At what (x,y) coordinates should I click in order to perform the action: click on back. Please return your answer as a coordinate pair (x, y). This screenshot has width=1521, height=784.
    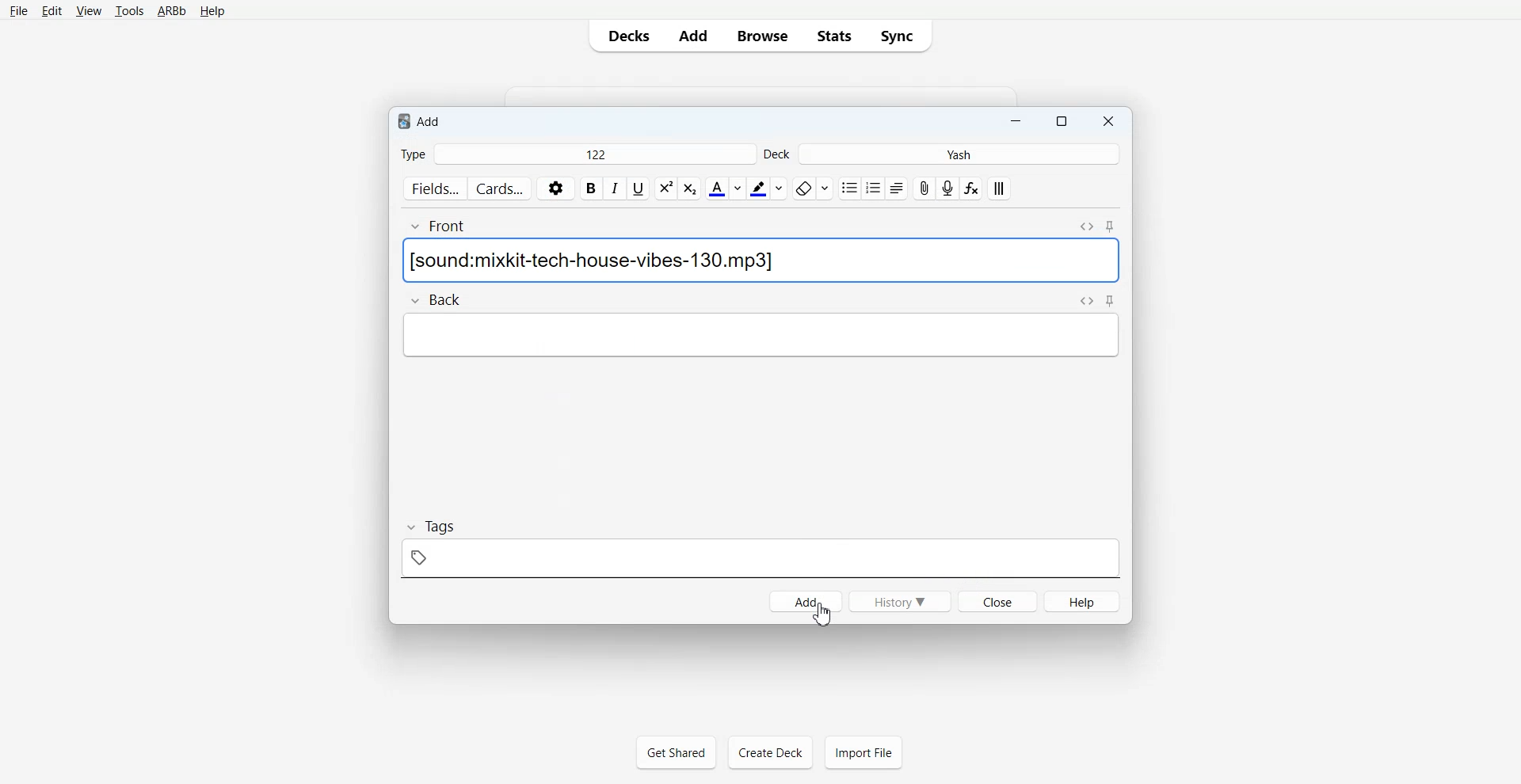
    Looking at the image, I should click on (452, 299).